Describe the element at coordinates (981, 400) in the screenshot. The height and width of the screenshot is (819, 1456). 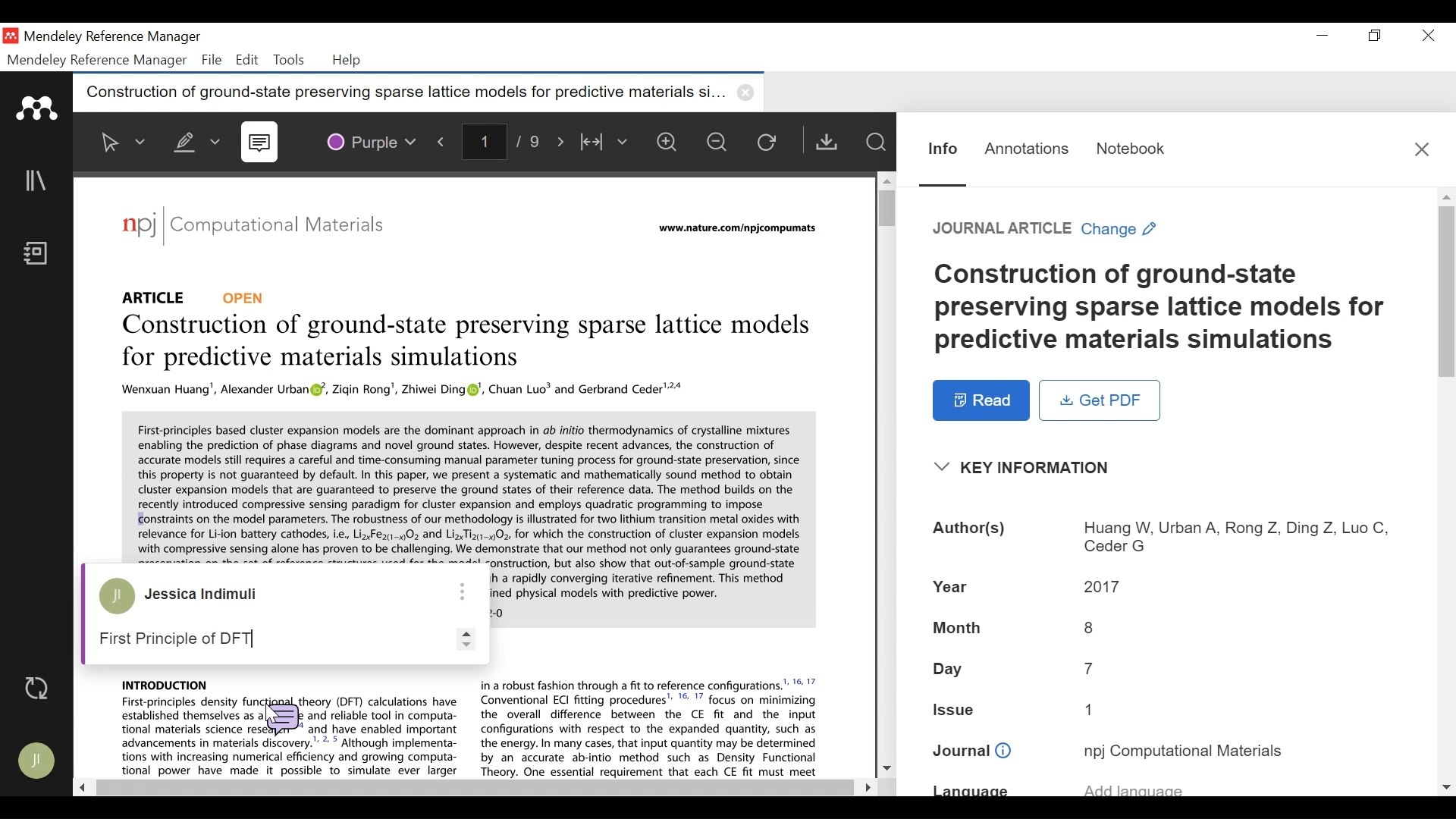
I see `Read` at that location.